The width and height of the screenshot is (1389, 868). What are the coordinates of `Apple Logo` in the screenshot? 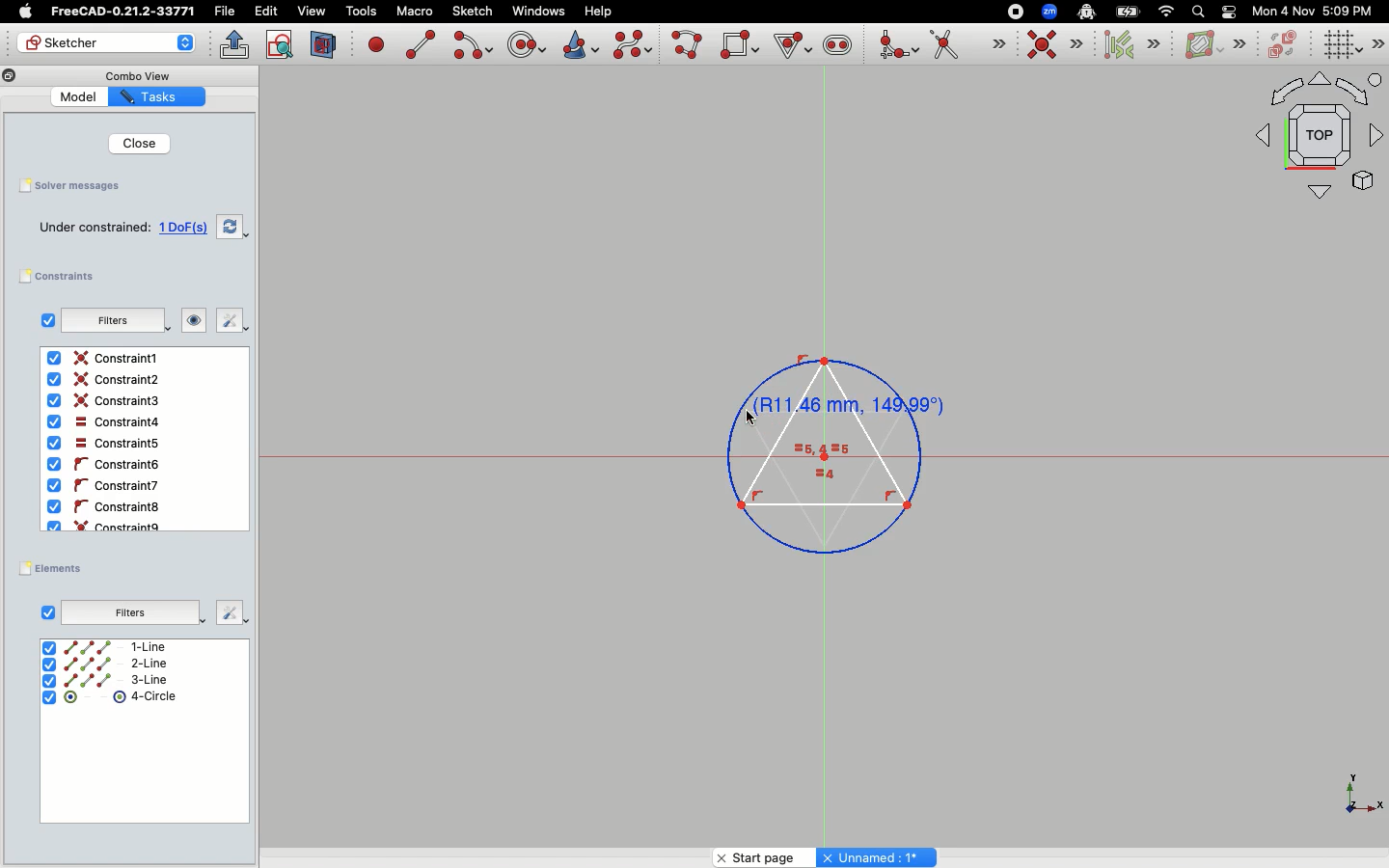 It's located at (23, 12).